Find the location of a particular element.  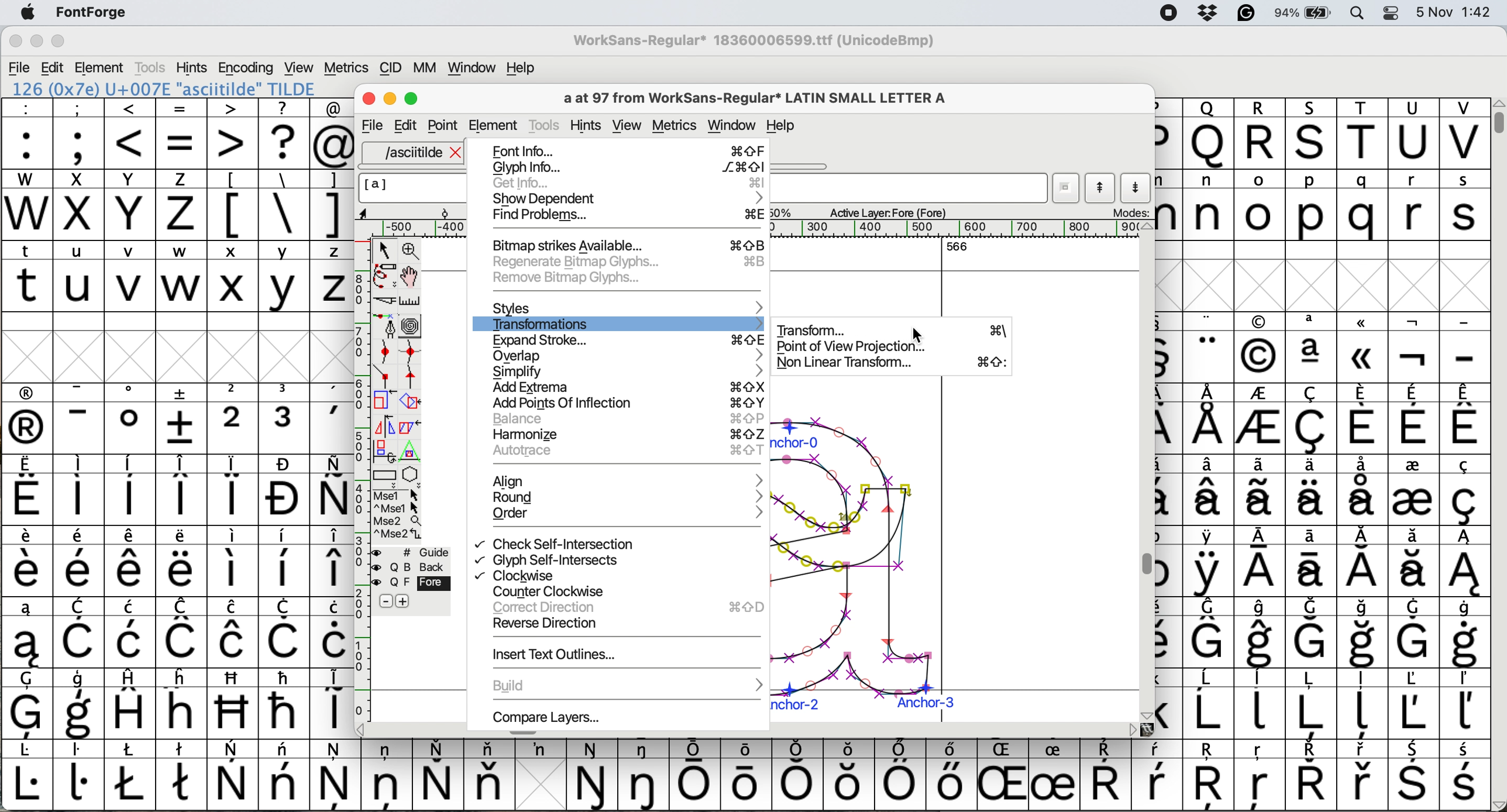

glyph name is located at coordinates (753, 98).